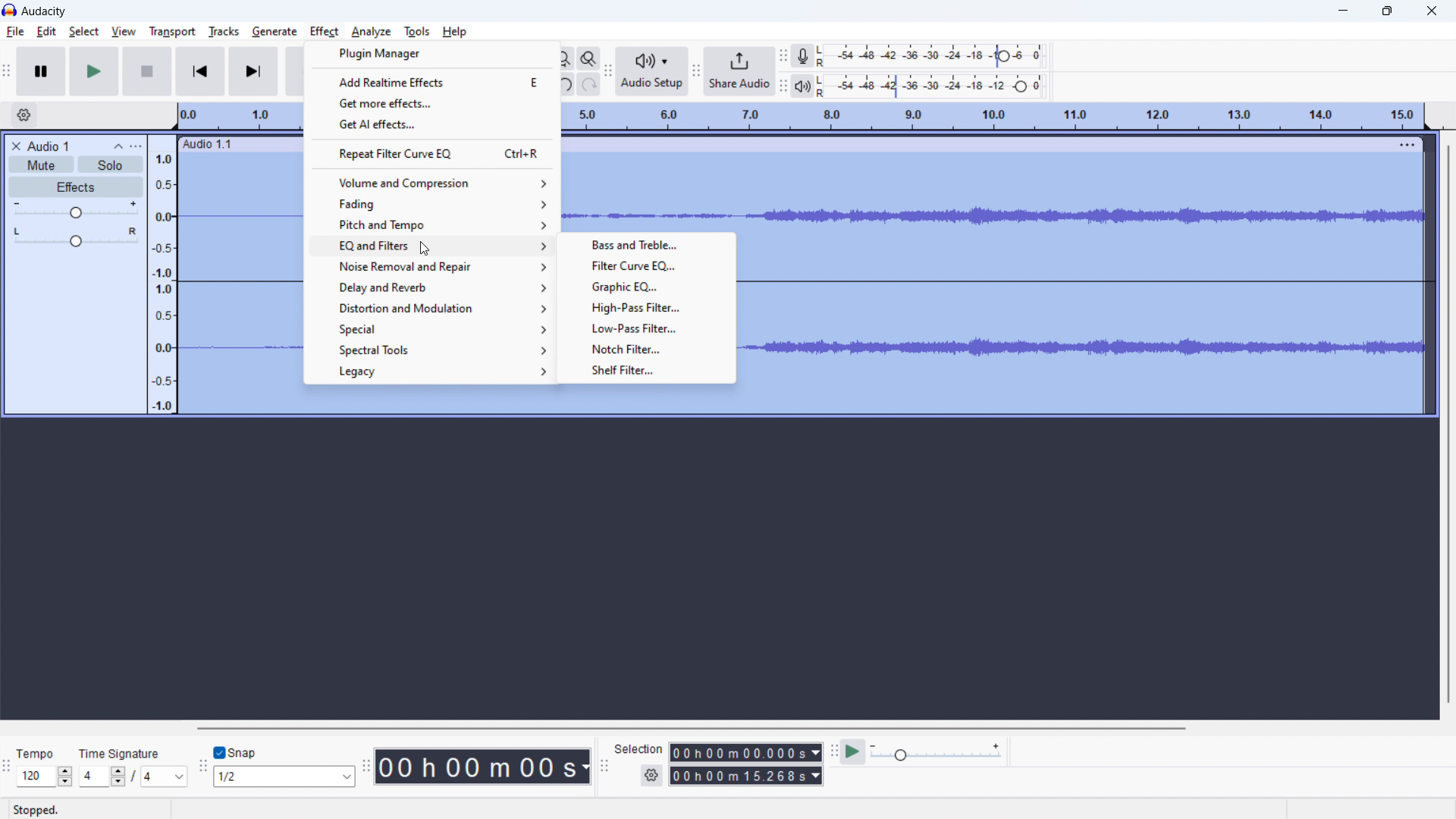 This screenshot has width=1456, height=819. Describe the element at coordinates (431, 225) in the screenshot. I see `pitch and tempo` at that location.